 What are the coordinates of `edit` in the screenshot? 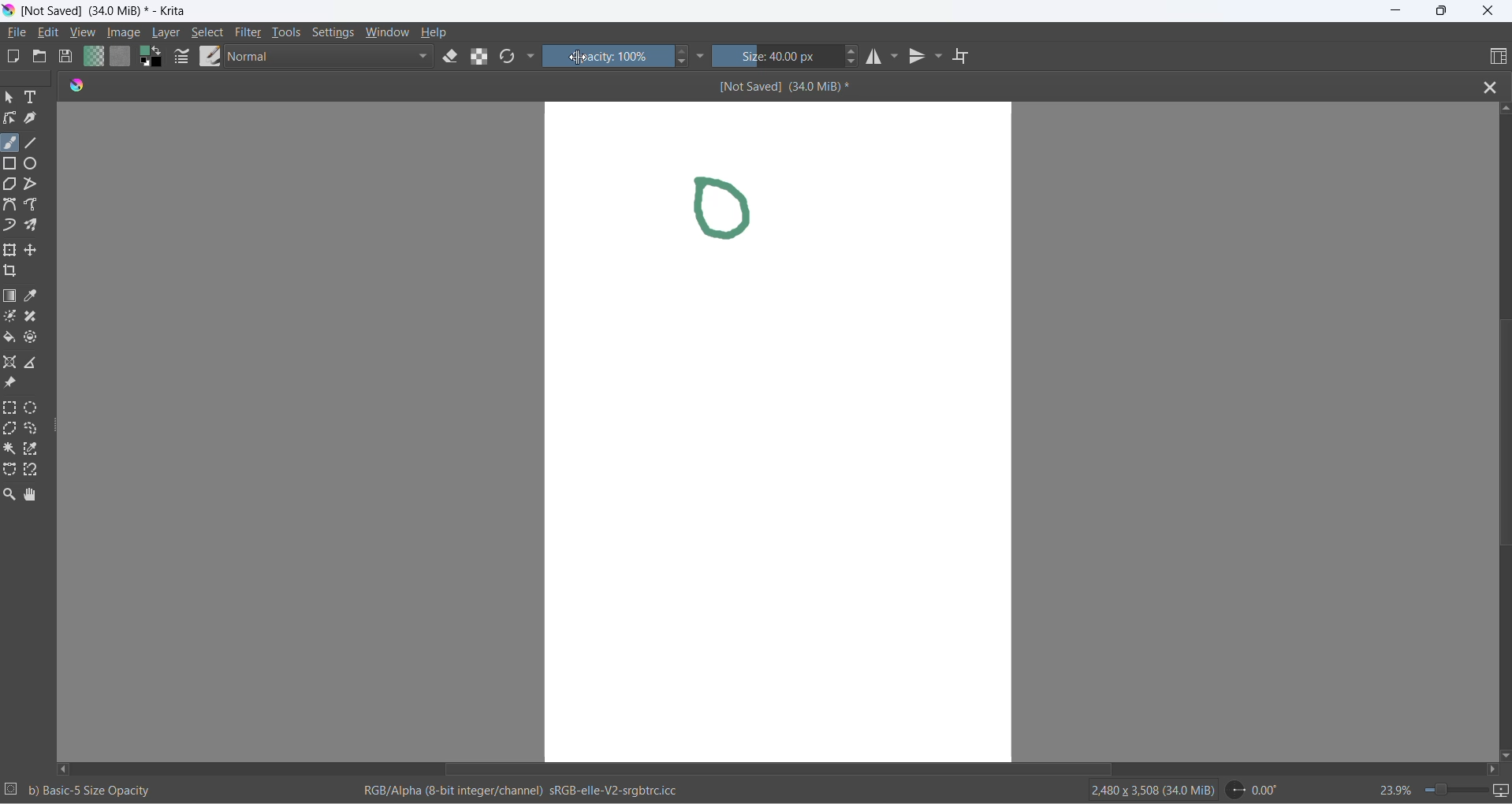 It's located at (50, 32).